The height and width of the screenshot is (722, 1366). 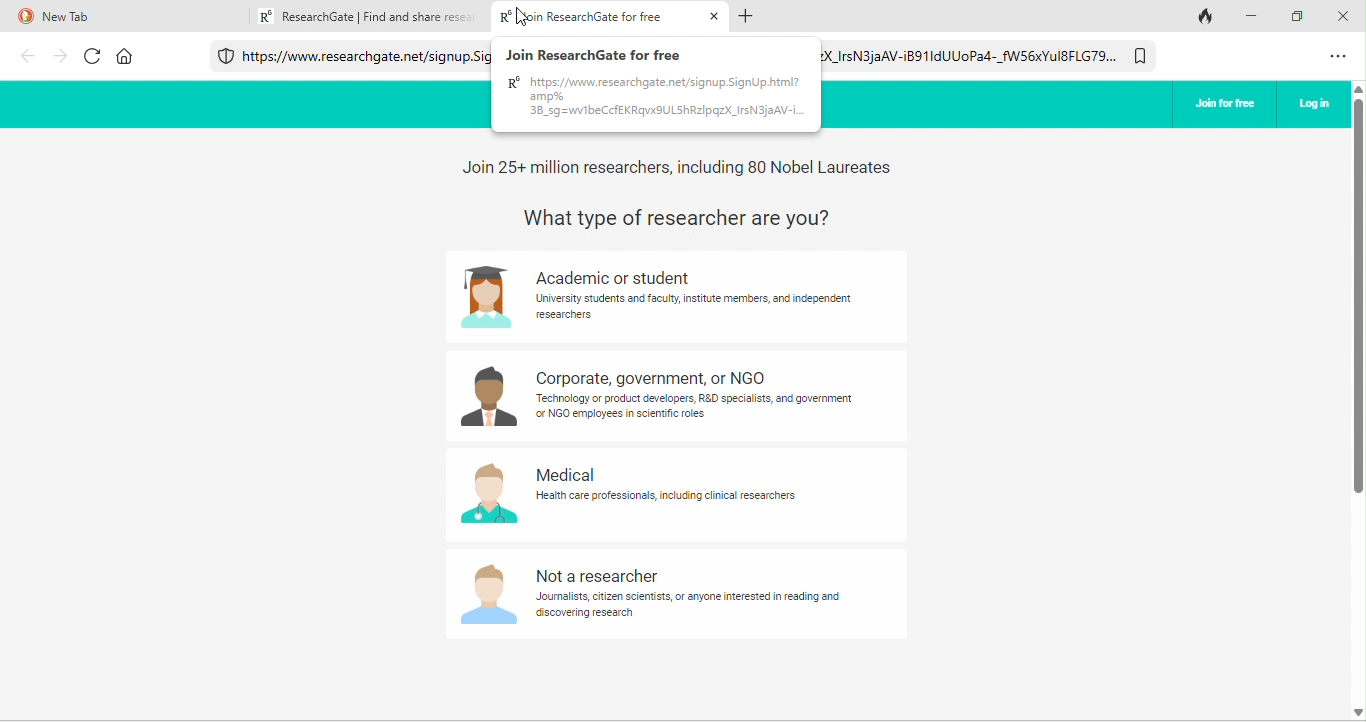 What do you see at coordinates (486, 298) in the screenshot?
I see `Profile pic` at bounding box center [486, 298].